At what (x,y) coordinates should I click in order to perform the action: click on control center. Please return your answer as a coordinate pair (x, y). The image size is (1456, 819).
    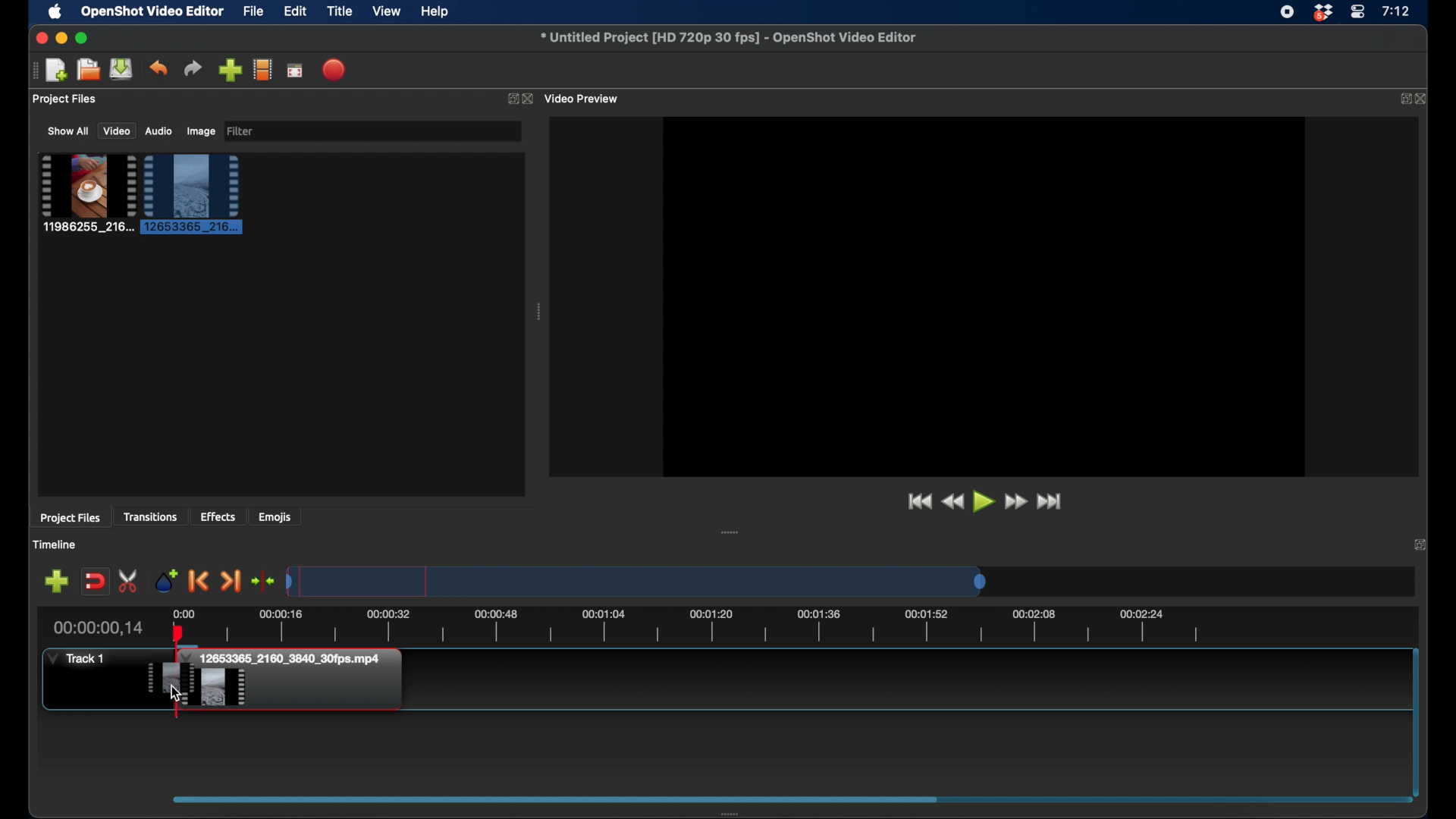
    Looking at the image, I should click on (1357, 12).